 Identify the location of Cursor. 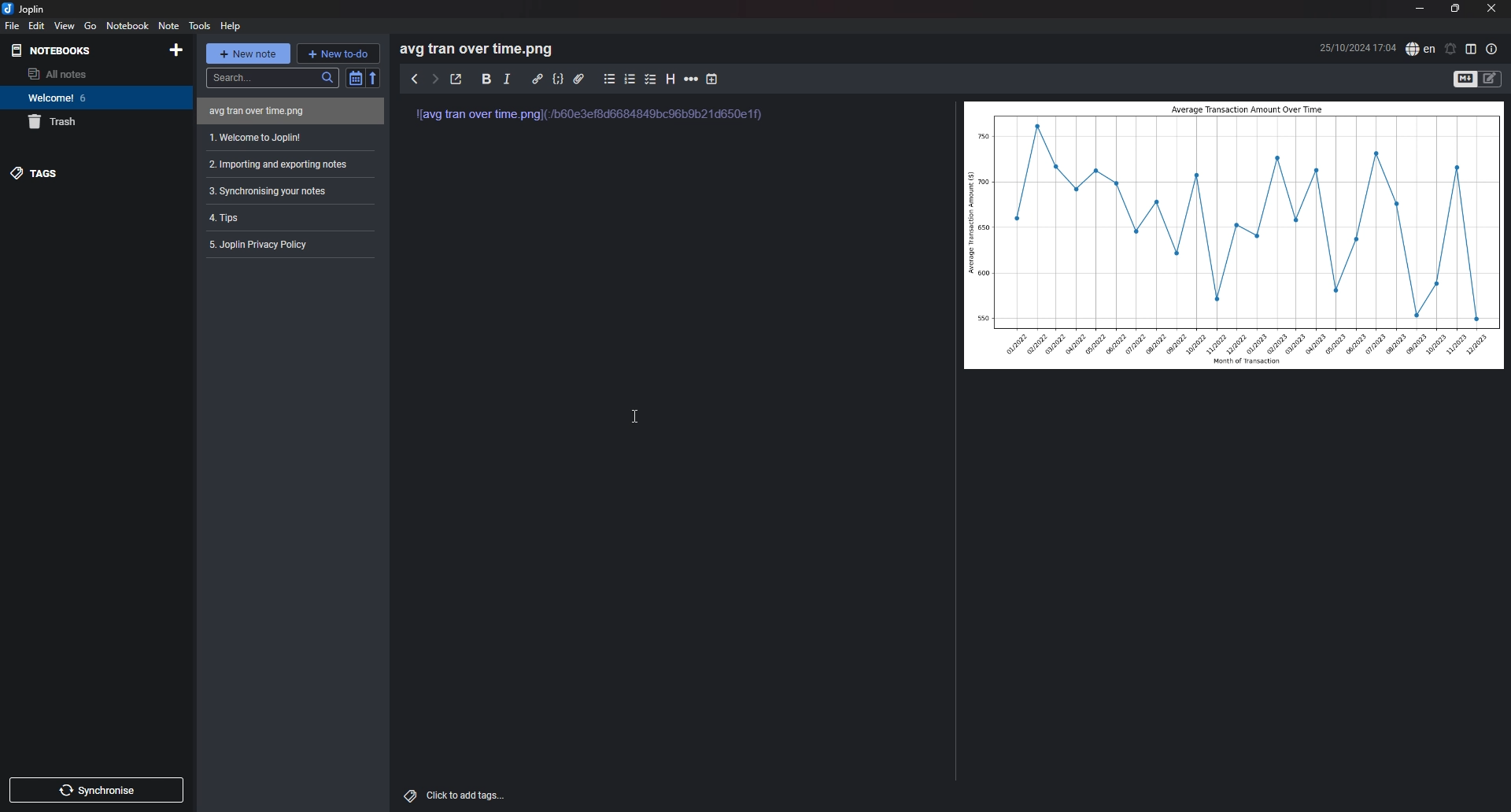
(636, 421).